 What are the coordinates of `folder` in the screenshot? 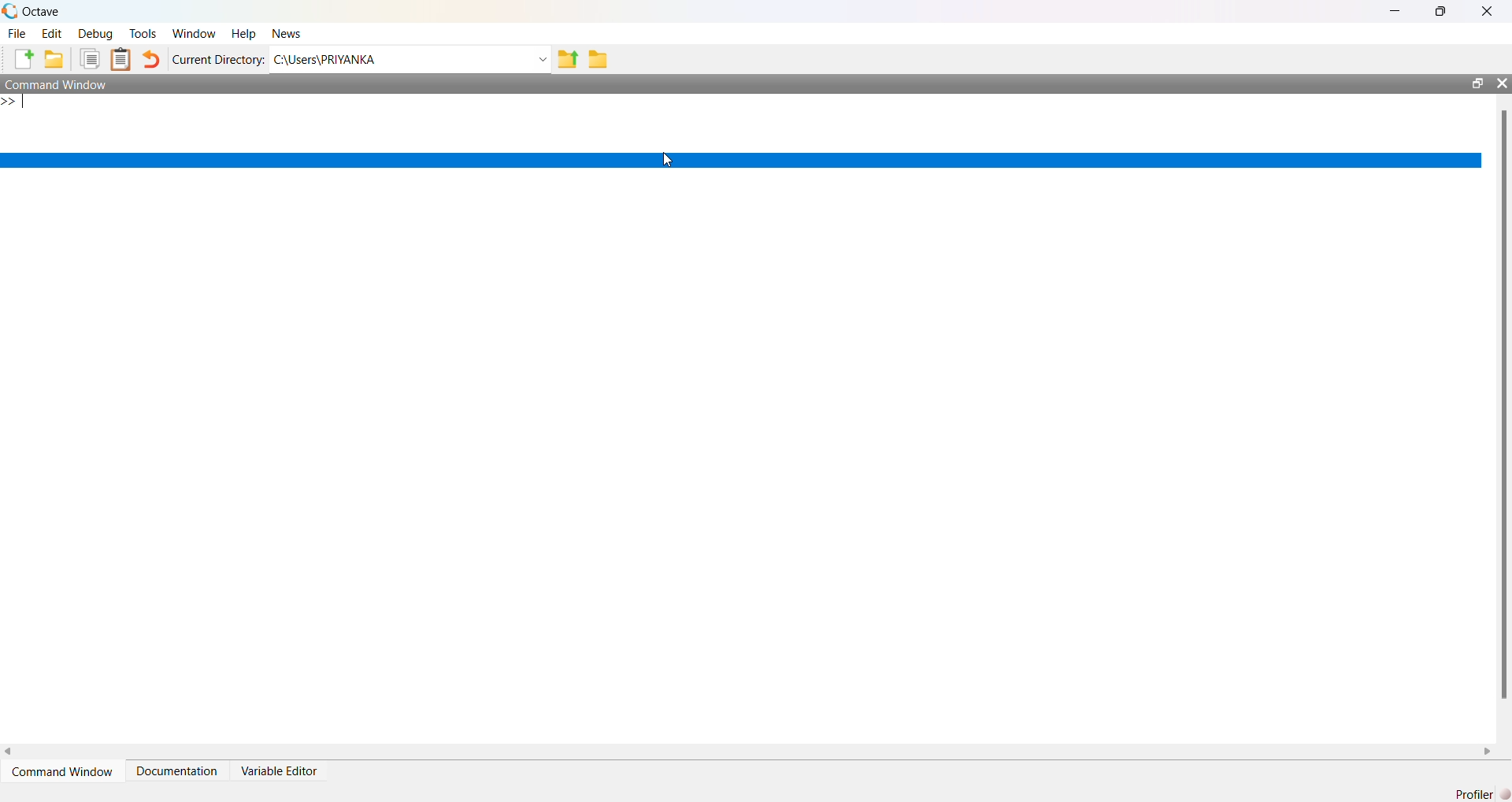 It's located at (598, 60).